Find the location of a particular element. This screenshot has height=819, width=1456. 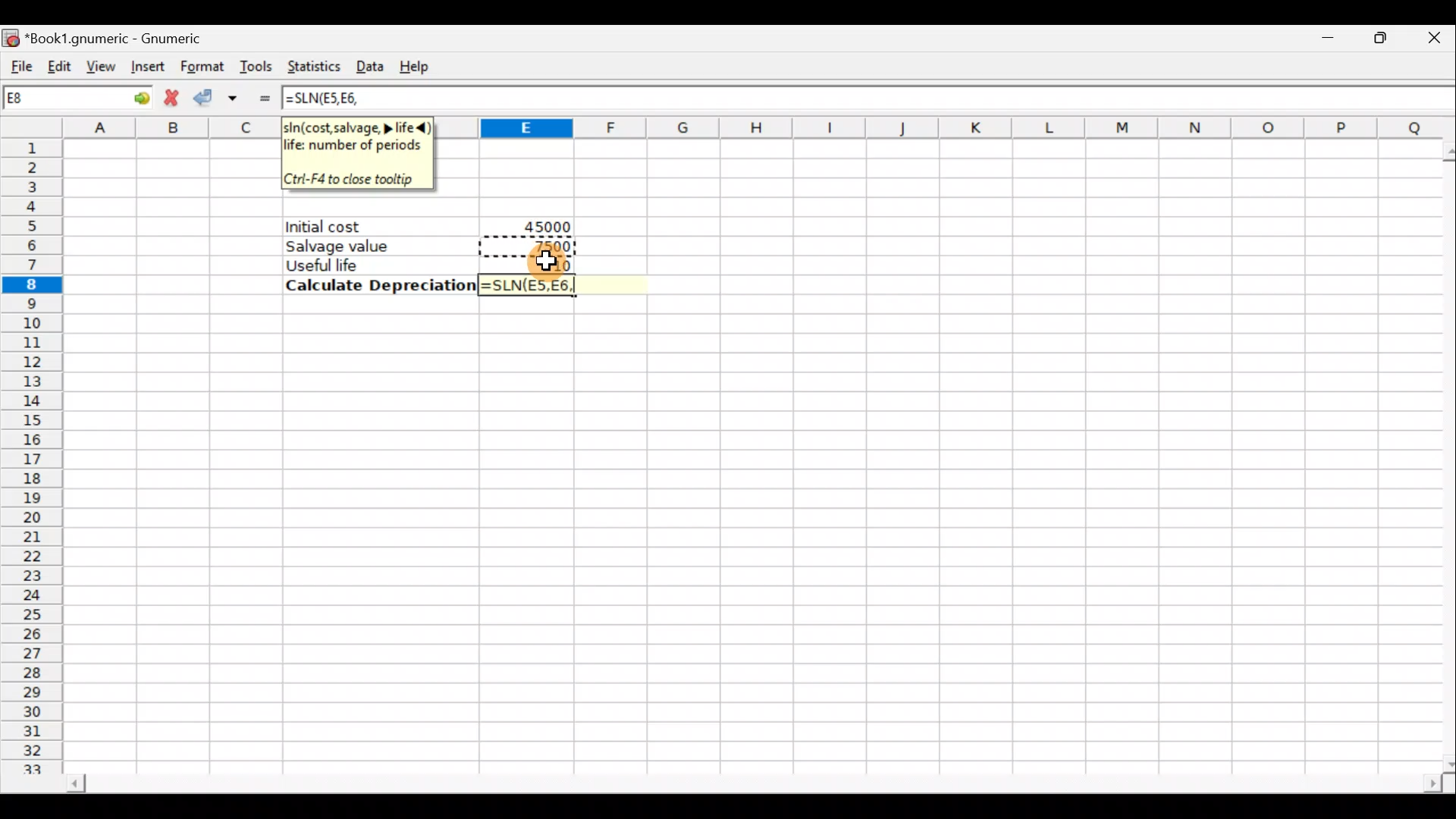

Scroll bar is located at coordinates (739, 780).